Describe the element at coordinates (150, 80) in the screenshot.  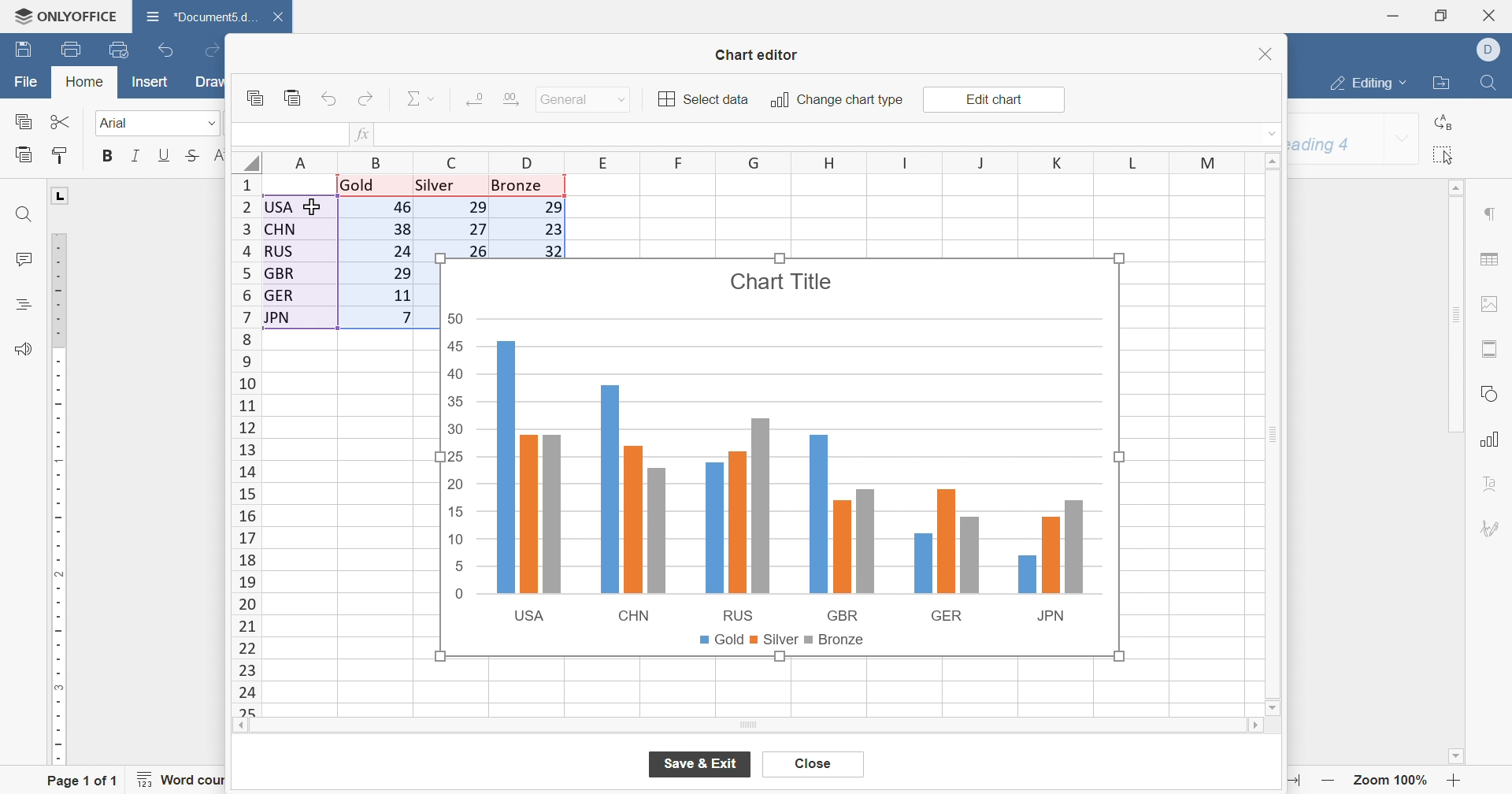
I see `insert` at that location.